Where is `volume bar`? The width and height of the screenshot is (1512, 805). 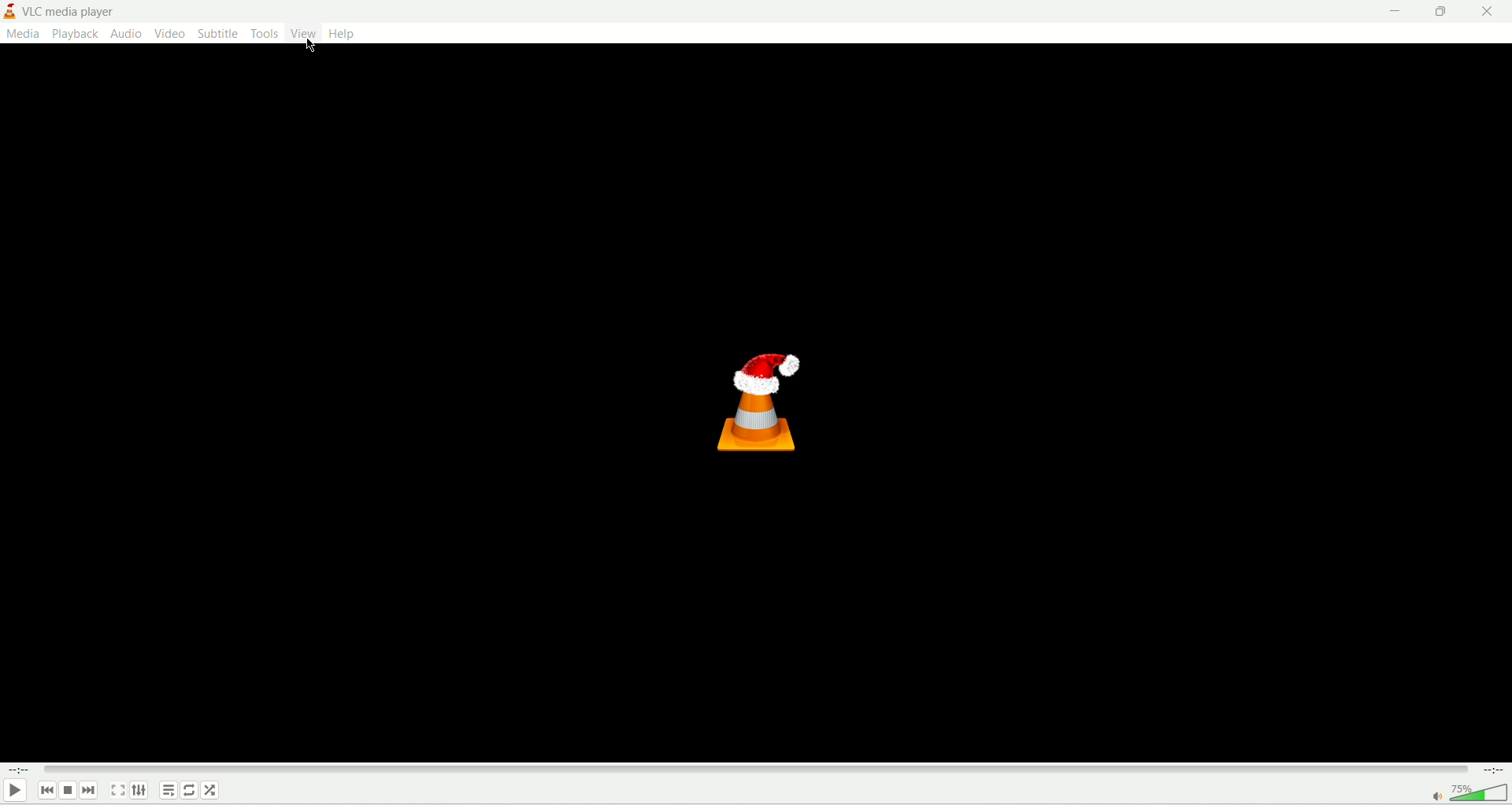
volume bar is located at coordinates (1469, 793).